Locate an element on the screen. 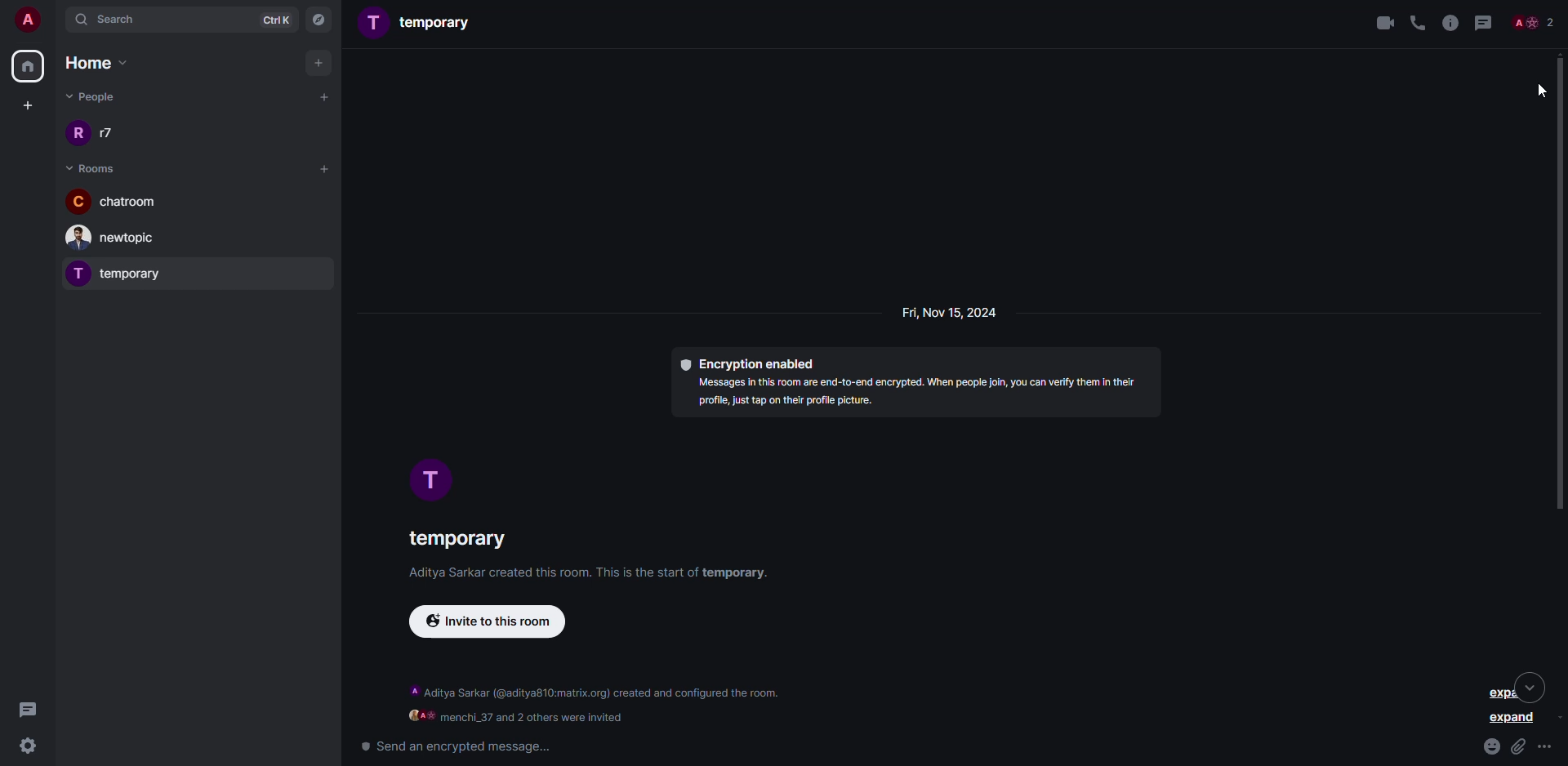 This screenshot has width=1568, height=766. add is located at coordinates (320, 62).